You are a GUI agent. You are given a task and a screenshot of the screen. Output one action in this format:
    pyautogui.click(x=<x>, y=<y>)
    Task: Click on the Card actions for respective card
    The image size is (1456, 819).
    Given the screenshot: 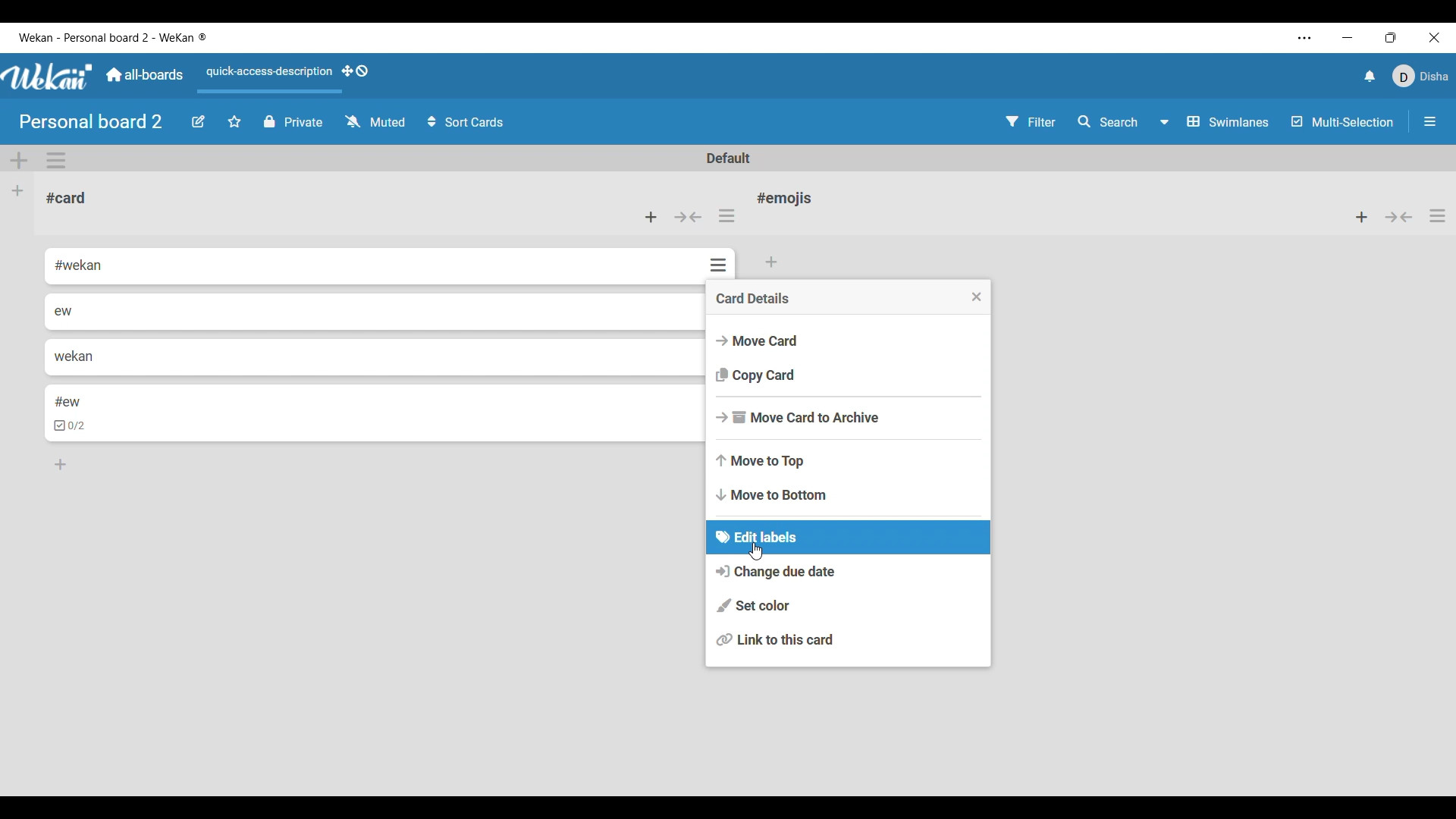 What is the action you would take?
    pyautogui.click(x=720, y=265)
    